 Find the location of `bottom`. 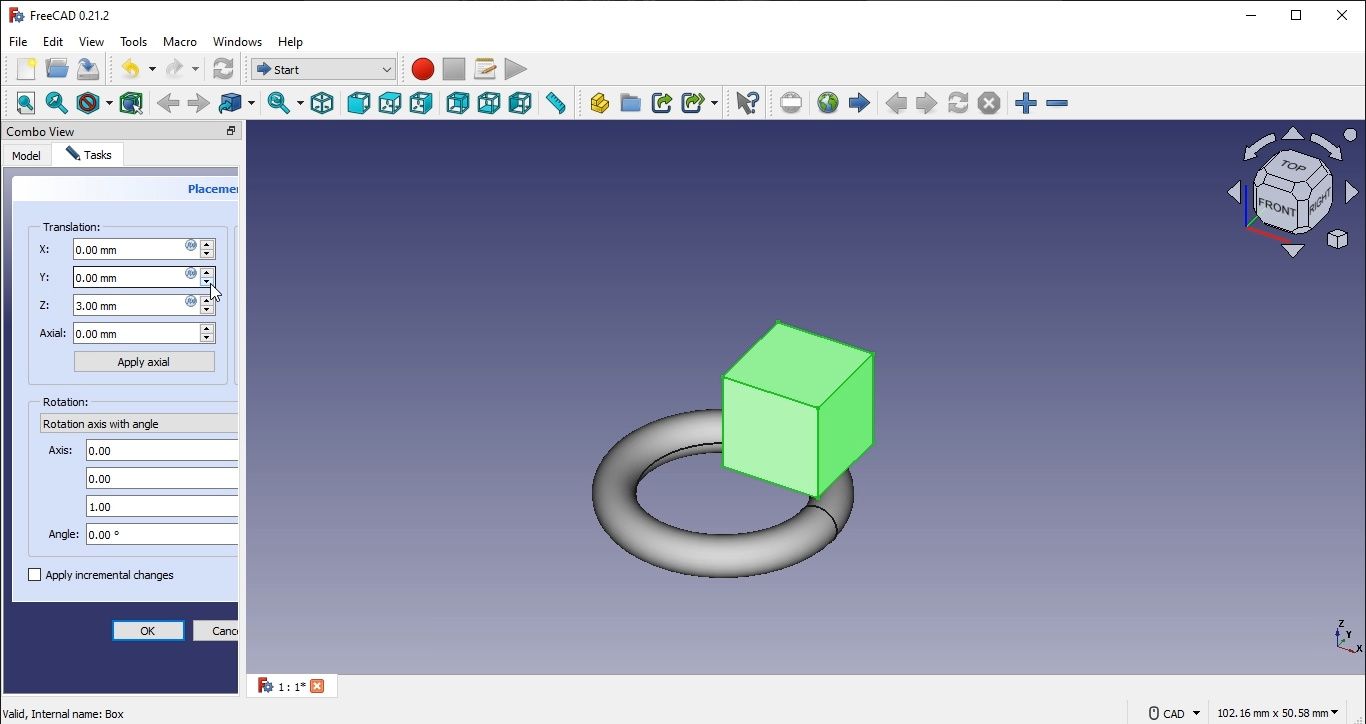

bottom is located at coordinates (487, 104).